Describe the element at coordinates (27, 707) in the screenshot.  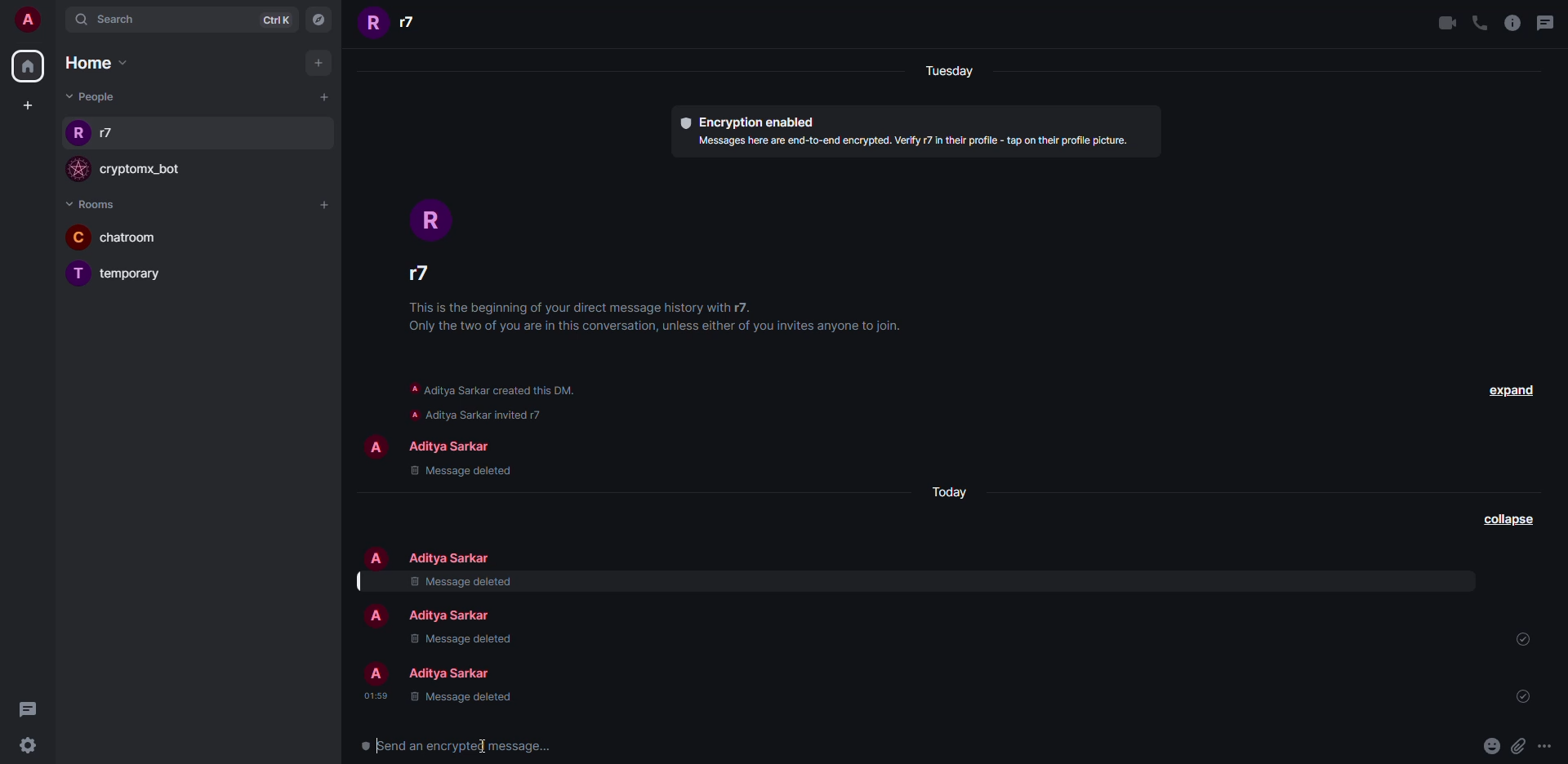
I see `threads` at that location.